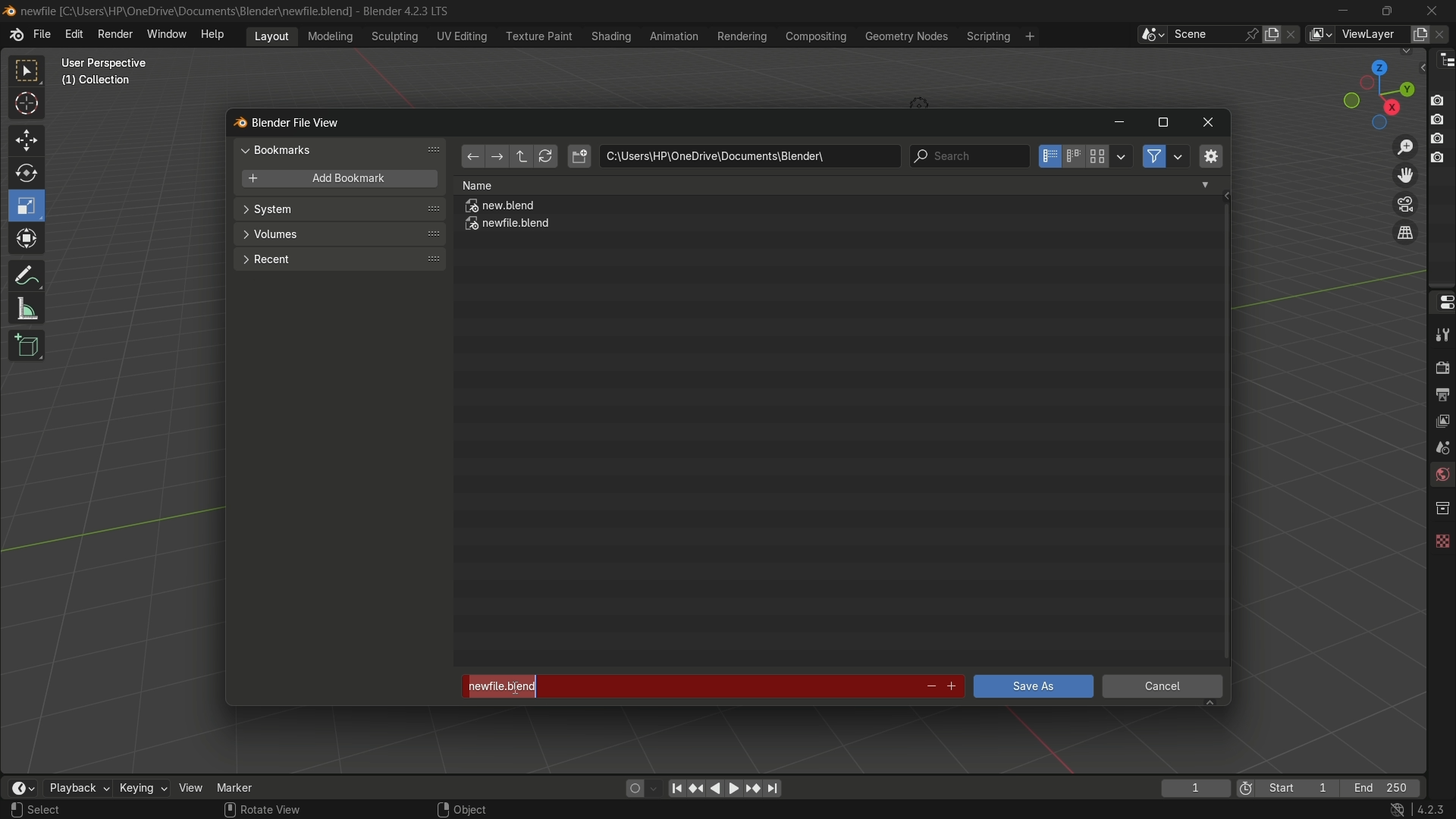 The width and height of the screenshot is (1456, 819). What do you see at coordinates (115, 33) in the screenshot?
I see `render menu` at bounding box center [115, 33].